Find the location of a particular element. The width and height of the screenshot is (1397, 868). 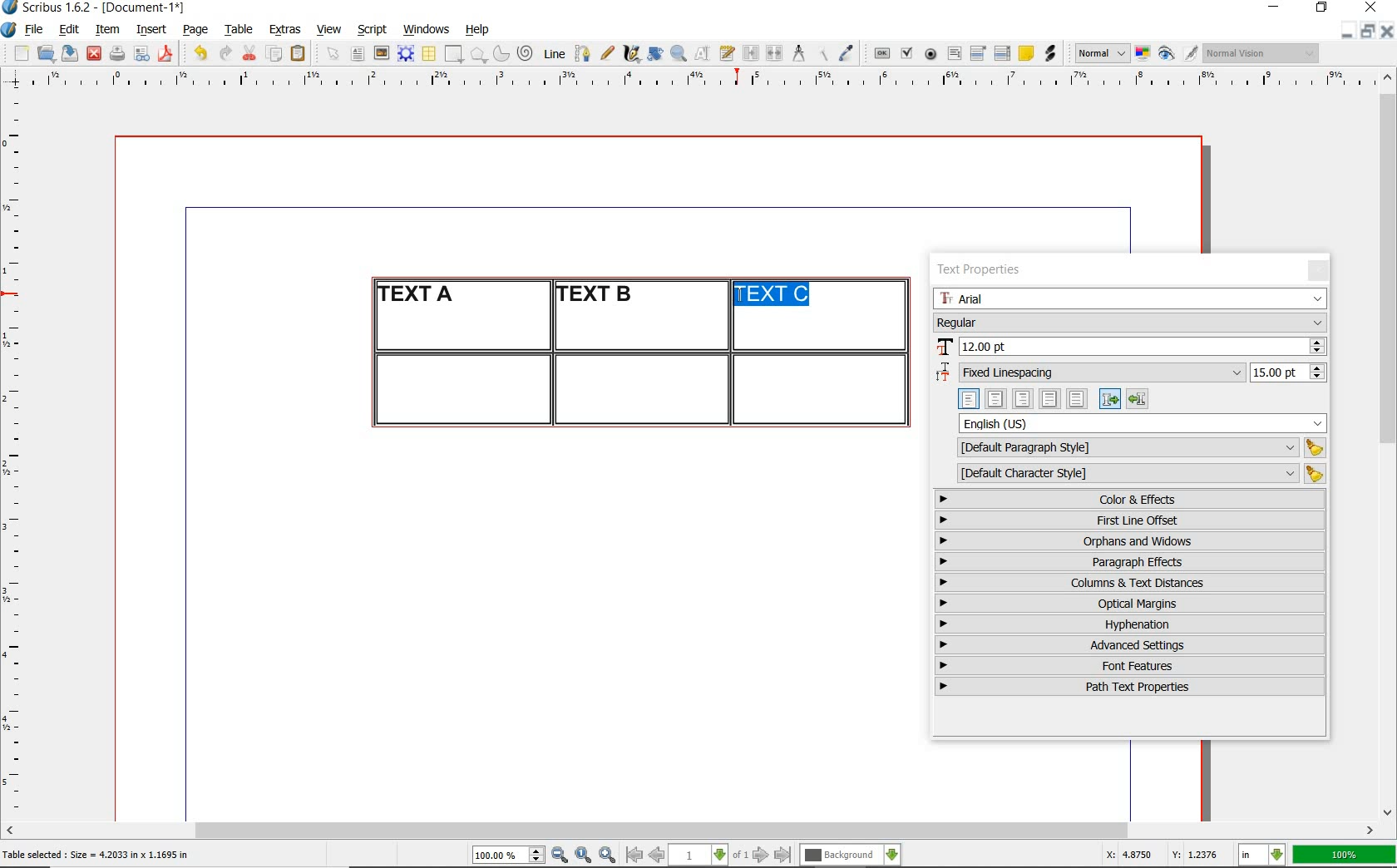

cut is located at coordinates (249, 52).